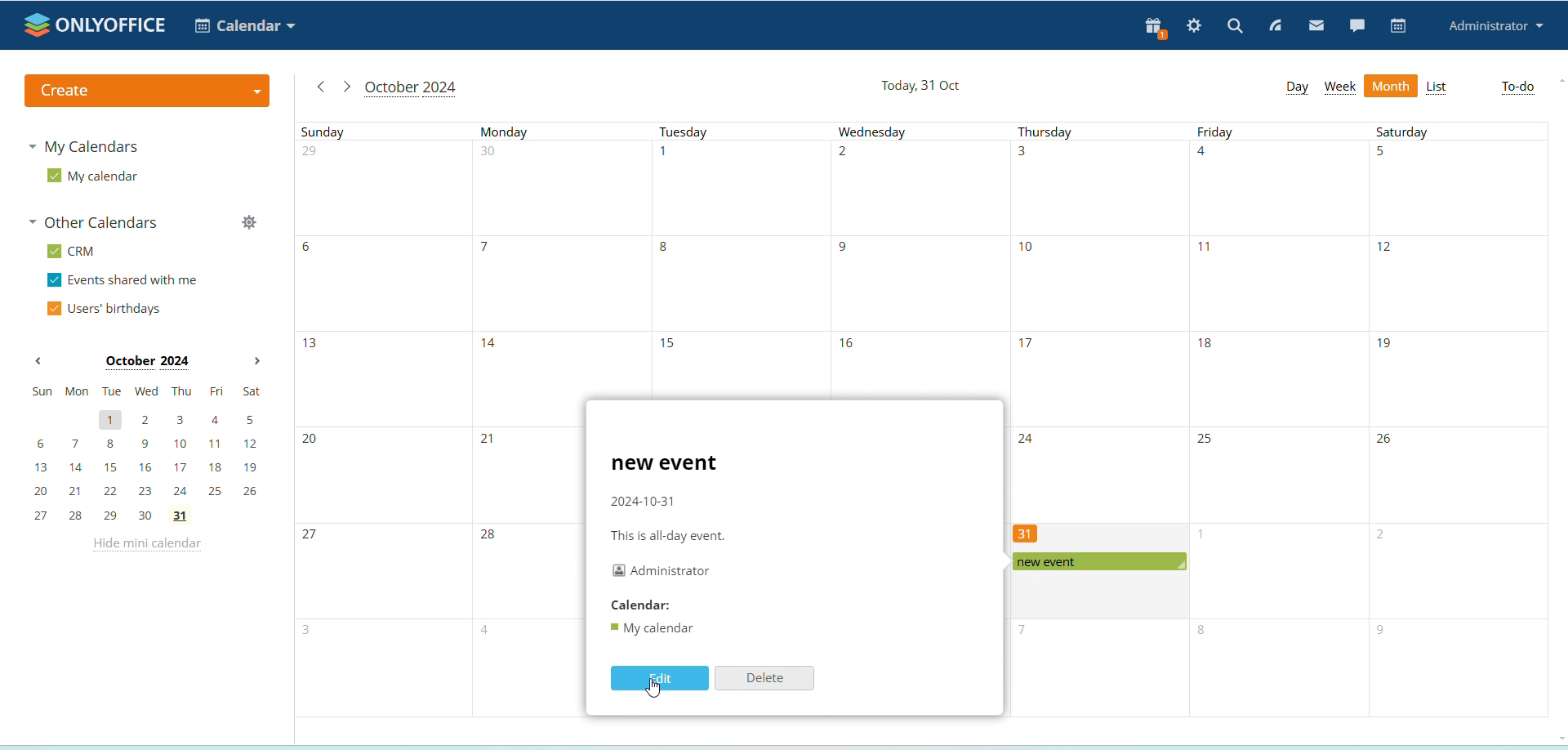 The width and height of the screenshot is (1568, 750). Describe the element at coordinates (38, 362) in the screenshot. I see `previous month` at that location.